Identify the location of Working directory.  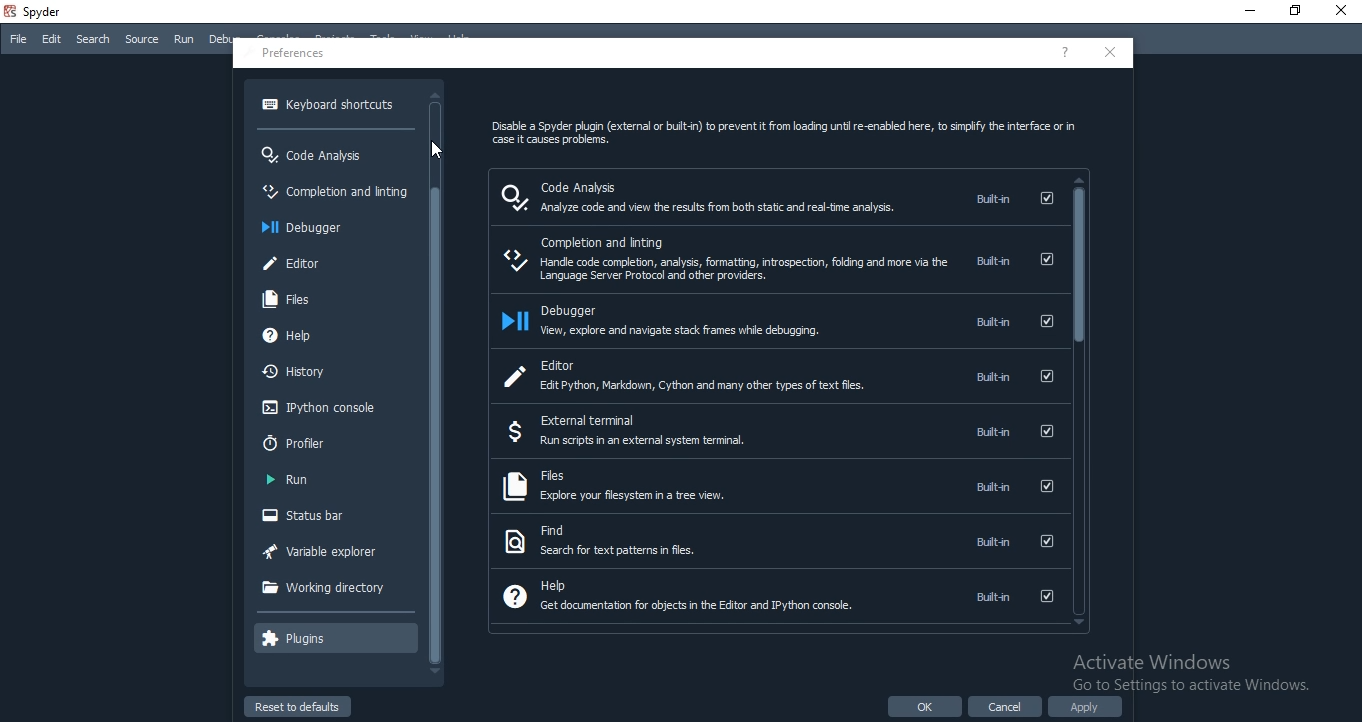
(323, 586).